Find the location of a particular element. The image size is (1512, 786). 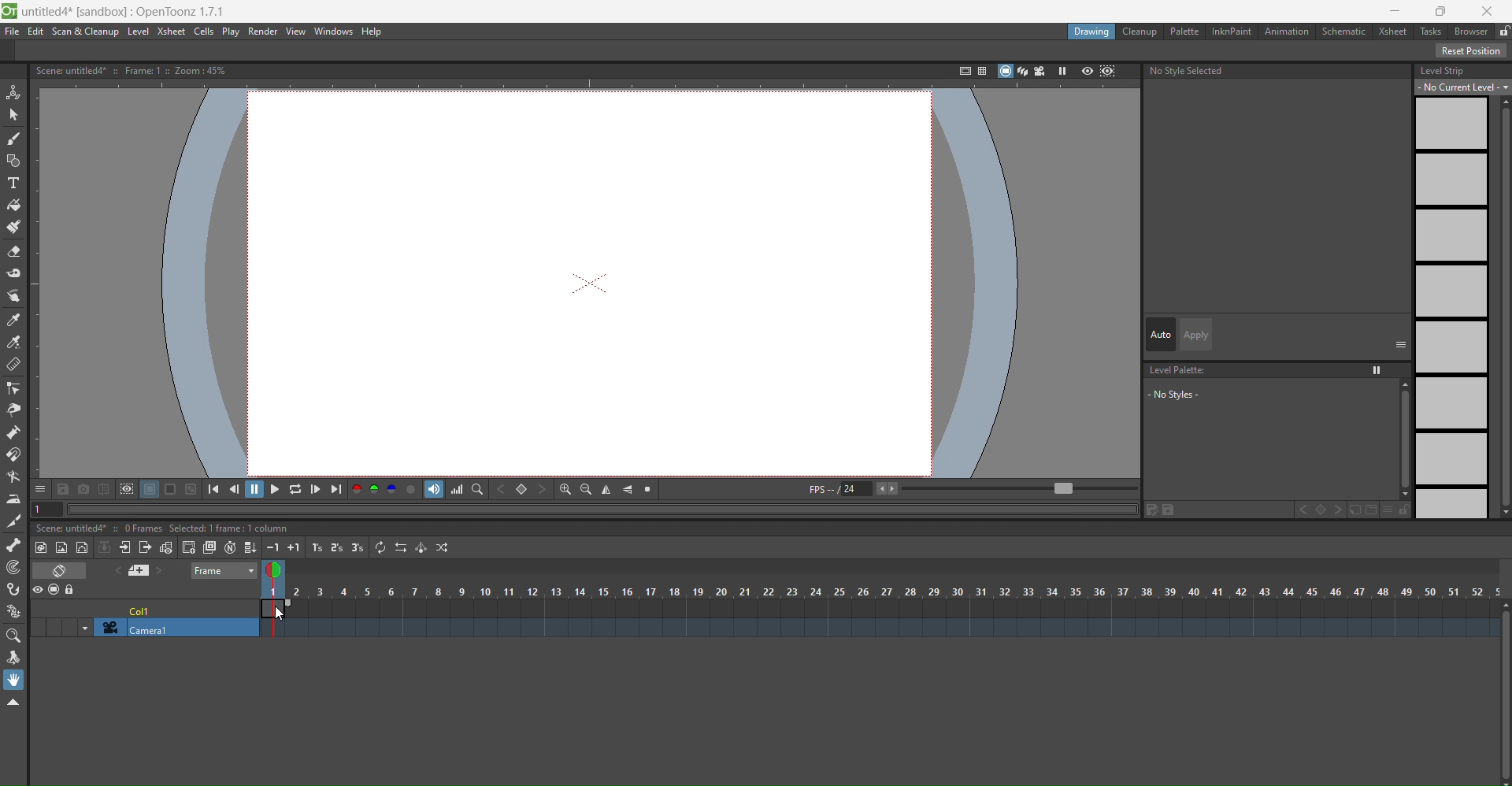

frame is located at coordinates (225, 572).